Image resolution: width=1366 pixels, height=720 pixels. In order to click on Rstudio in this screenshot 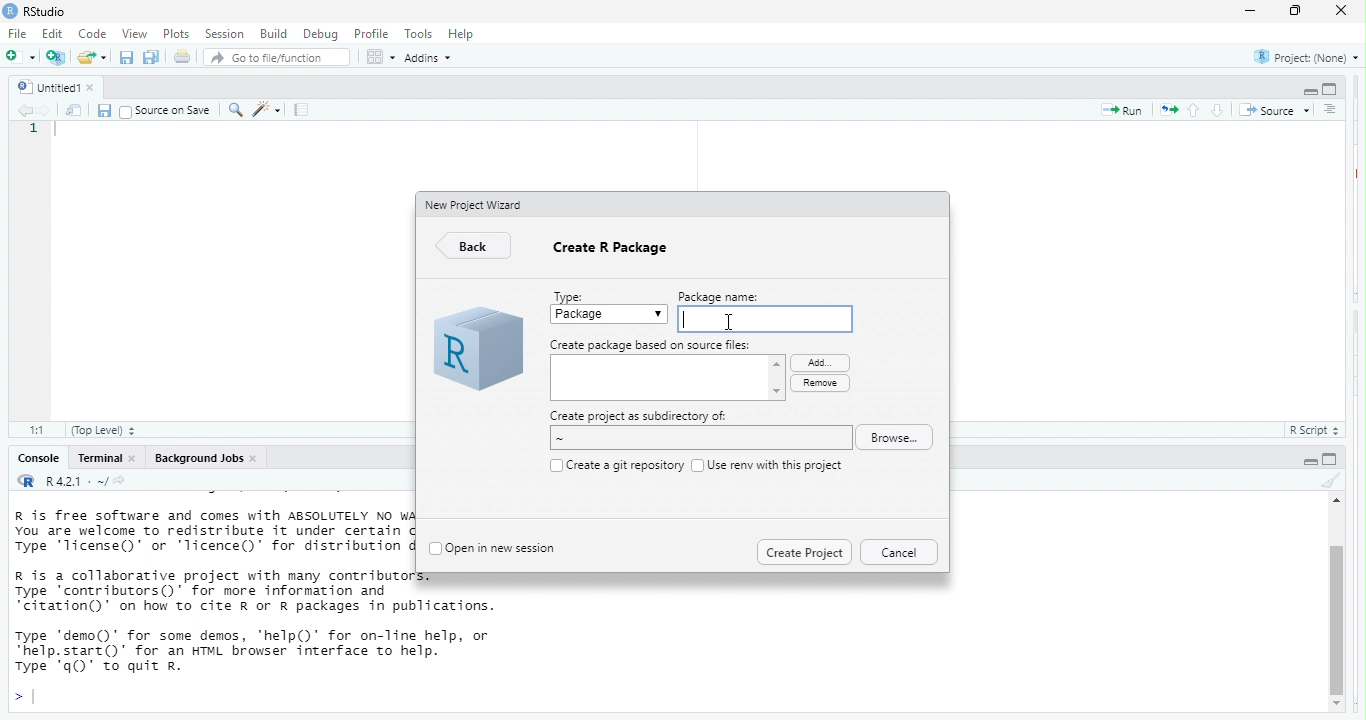, I will do `click(46, 11)`.